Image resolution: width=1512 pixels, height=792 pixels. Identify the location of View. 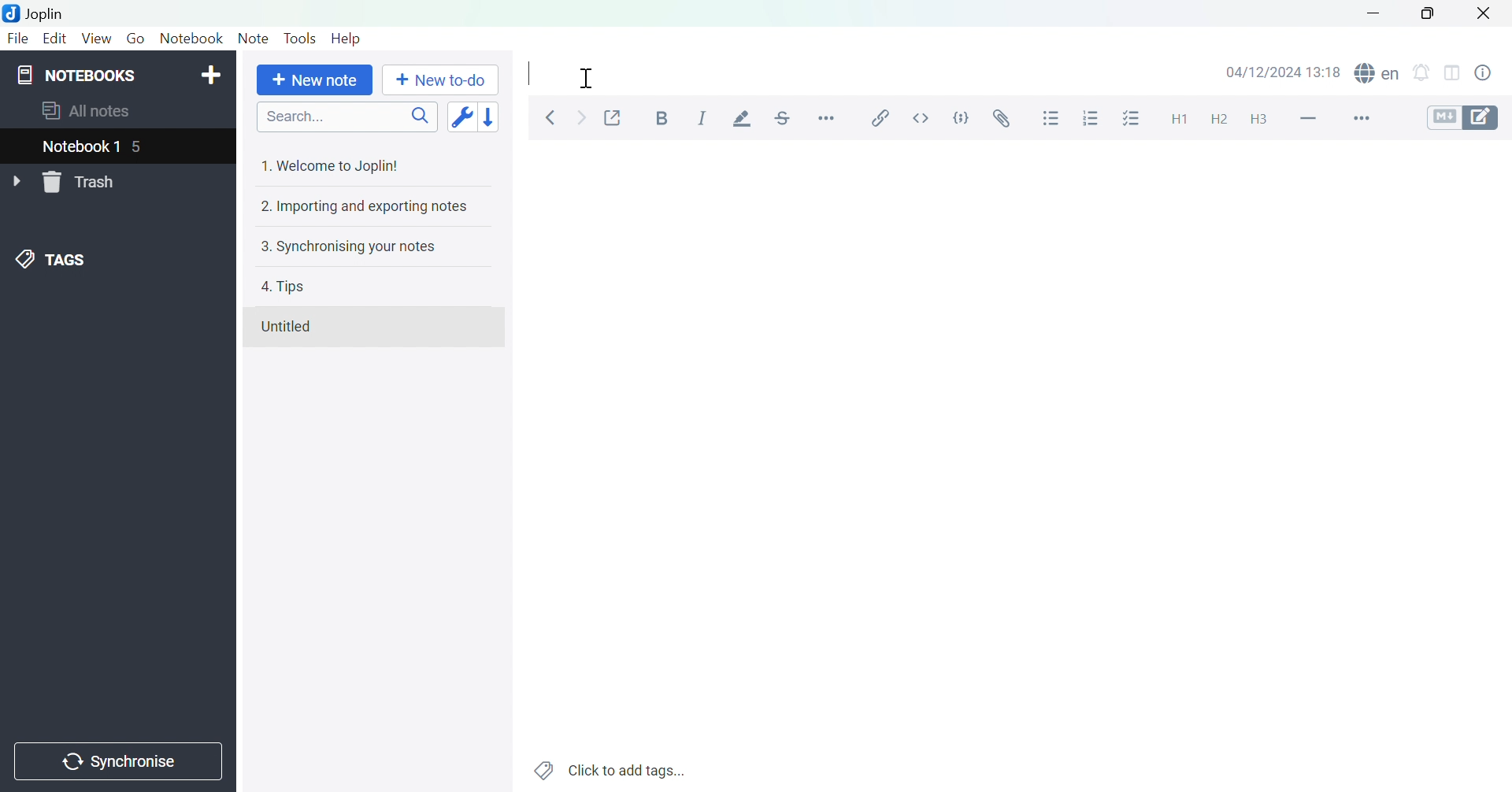
(95, 39).